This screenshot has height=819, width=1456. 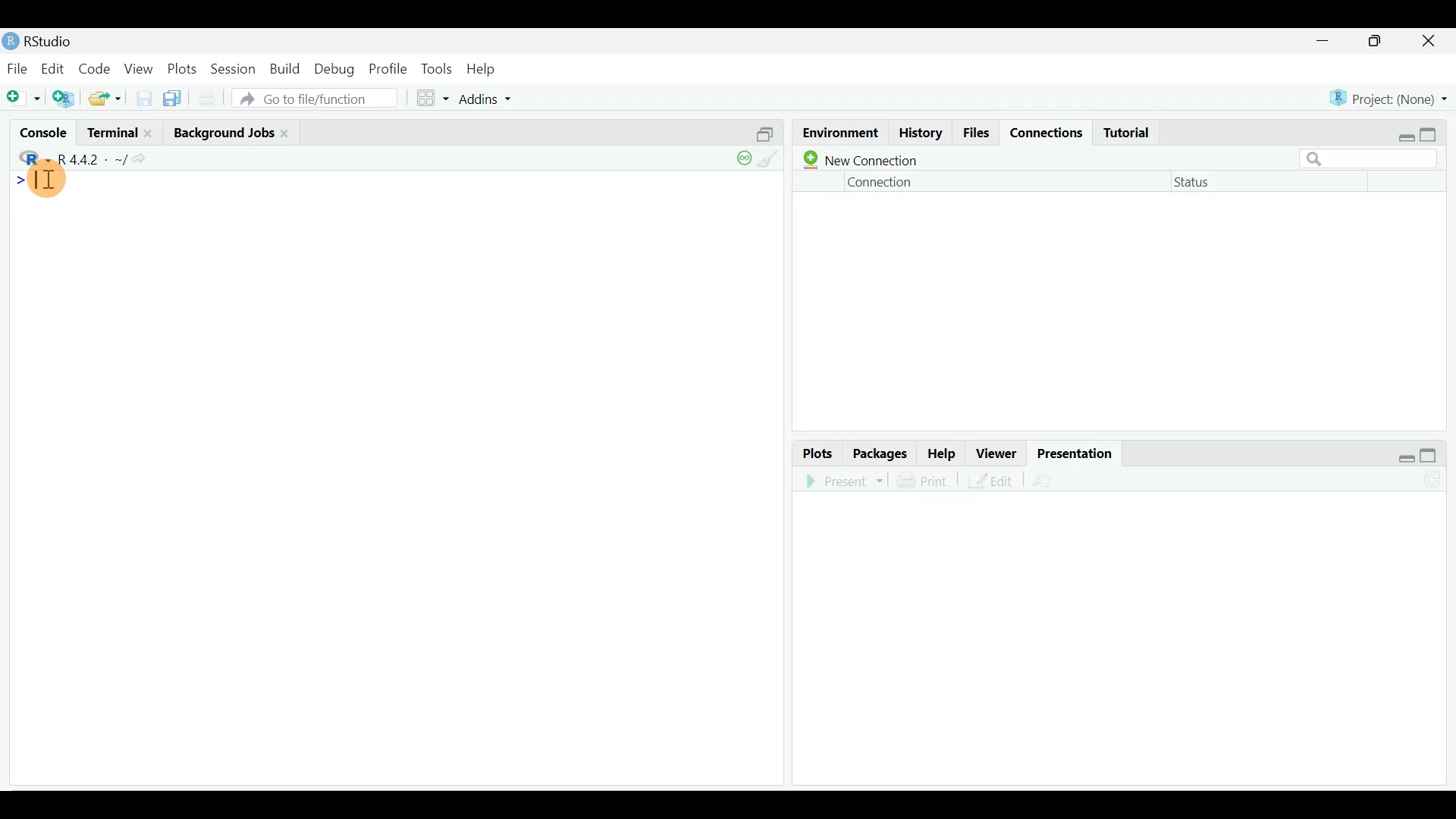 What do you see at coordinates (1382, 42) in the screenshot?
I see `maximize` at bounding box center [1382, 42].